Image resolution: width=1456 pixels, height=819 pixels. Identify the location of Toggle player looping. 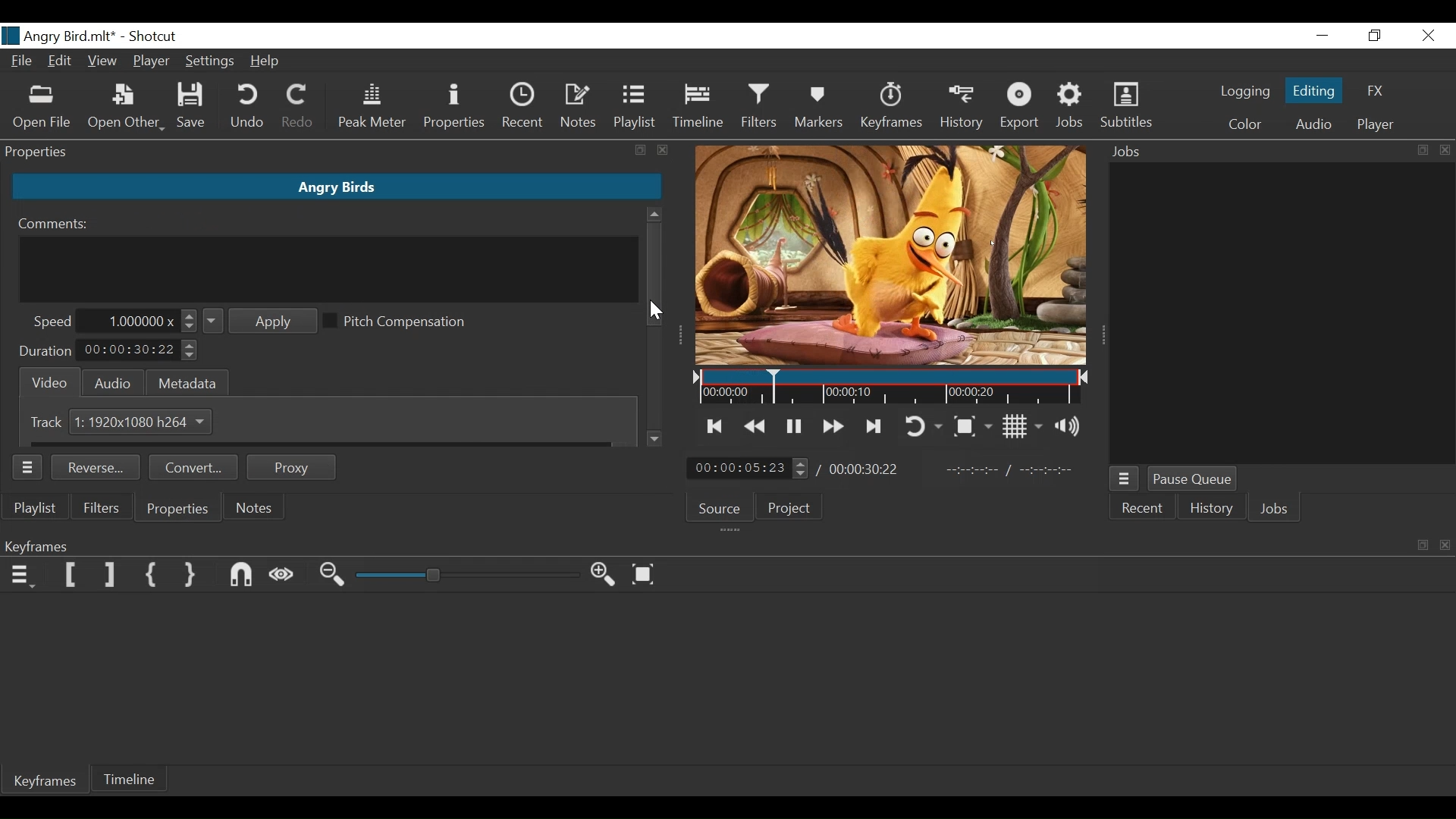
(926, 425).